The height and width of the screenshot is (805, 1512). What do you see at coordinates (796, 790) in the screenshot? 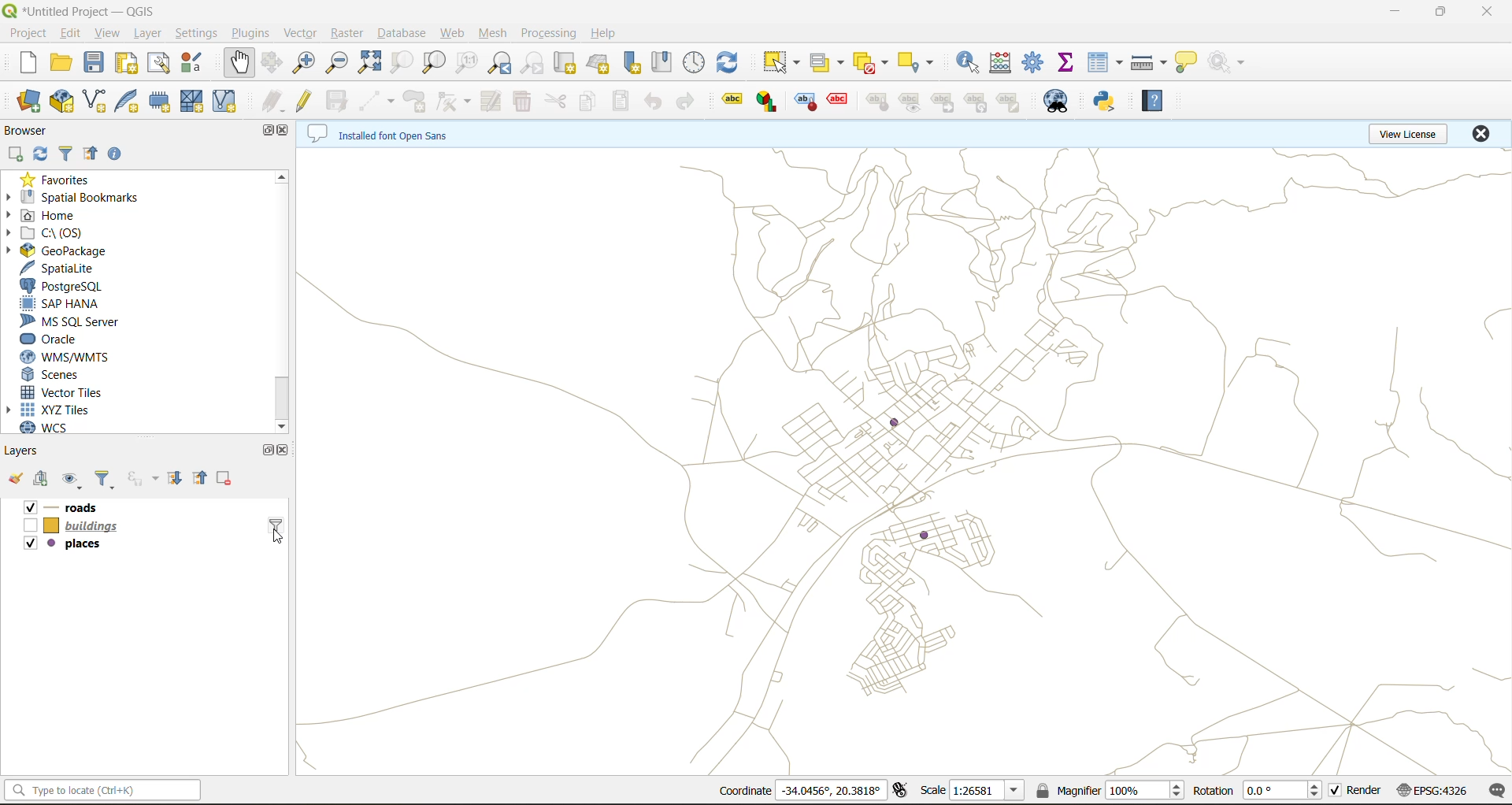
I see `coordinates` at bounding box center [796, 790].